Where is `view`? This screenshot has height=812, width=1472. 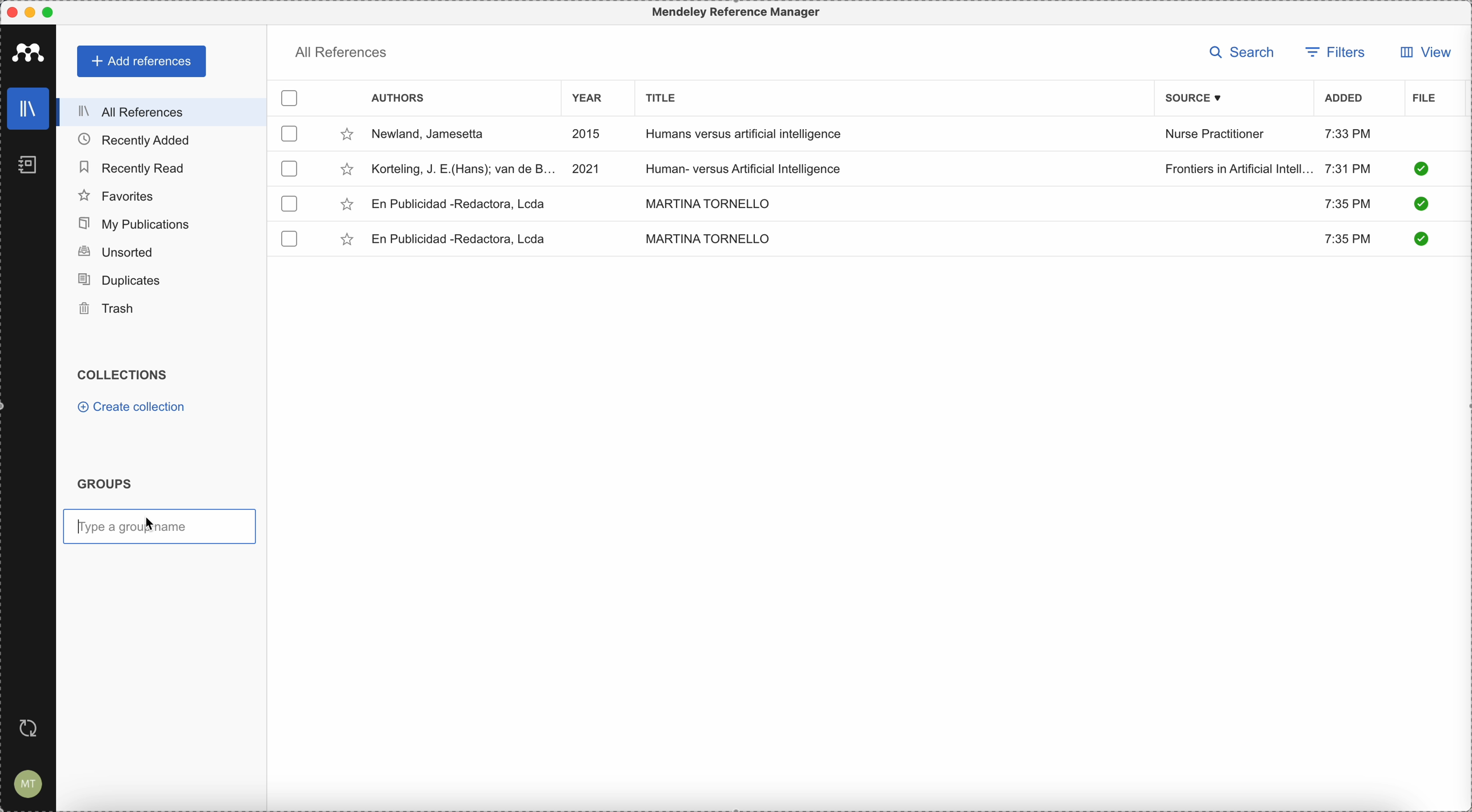
view is located at coordinates (1422, 52).